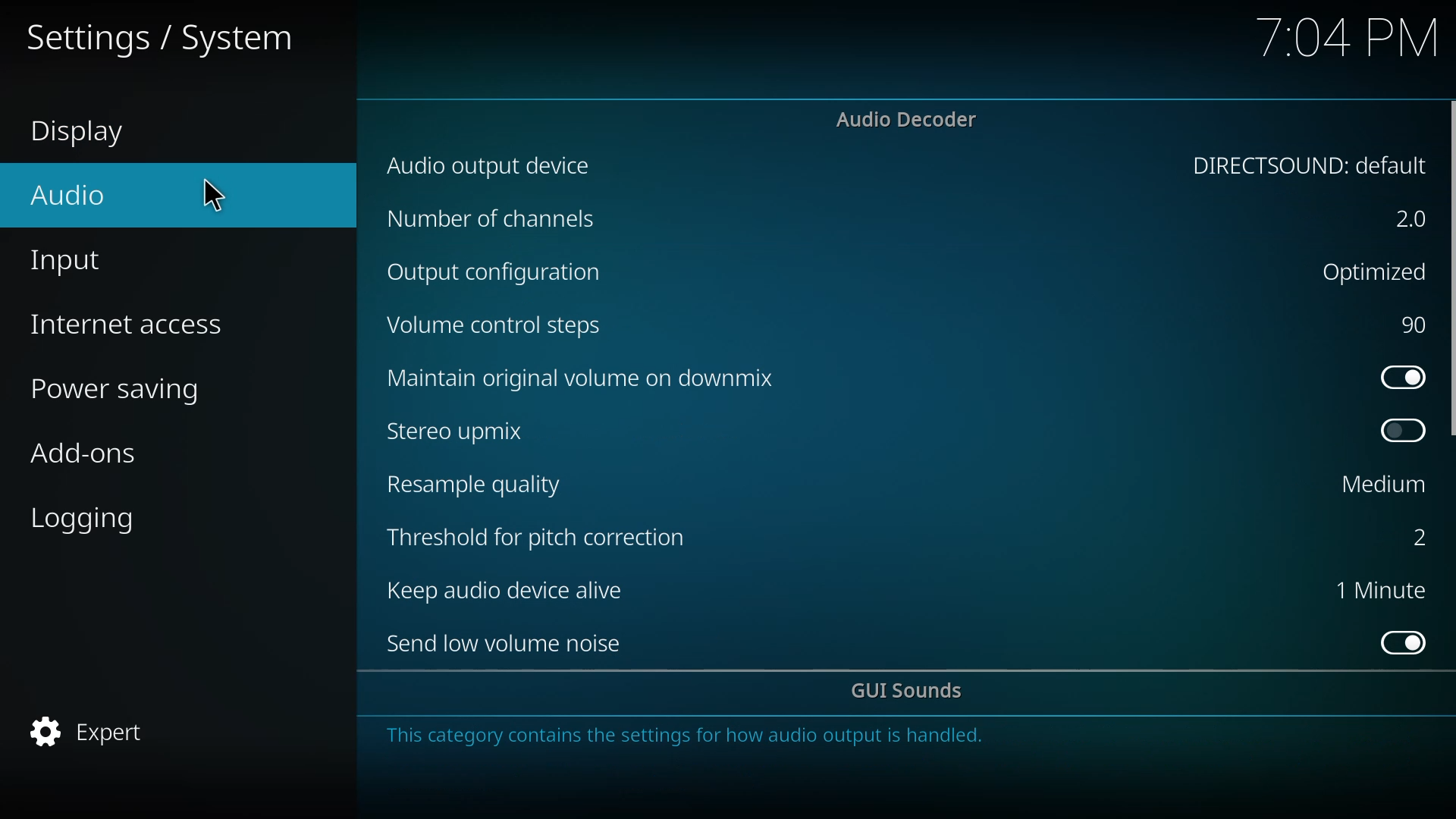 This screenshot has height=819, width=1456. Describe the element at coordinates (1404, 642) in the screenshot. I see `enable` at that location.